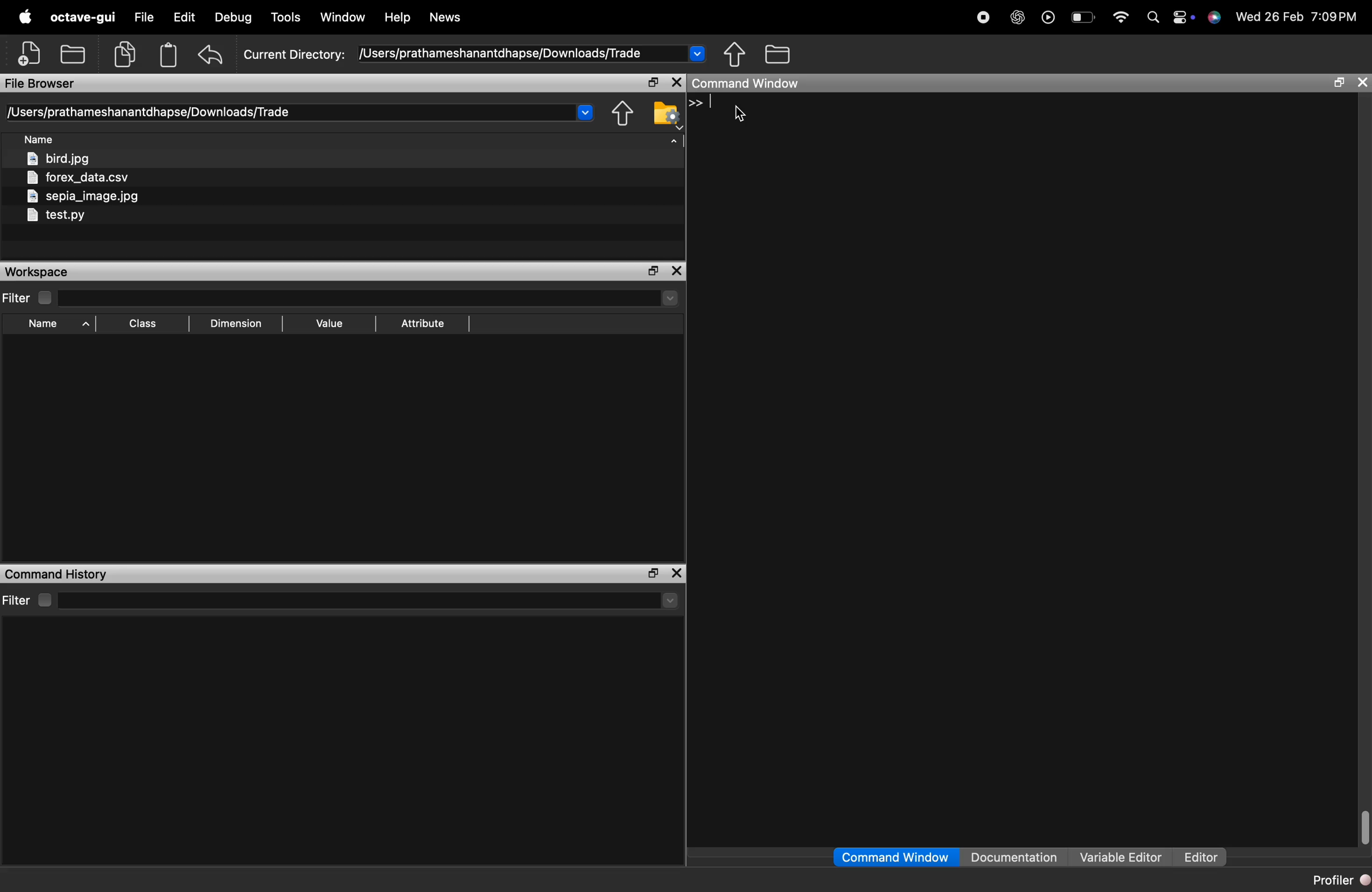 The height and width of the screenshot is (892, 1372). Describe the element at coordinates (1154, 18) in the screenshot. I see `search` at that location.